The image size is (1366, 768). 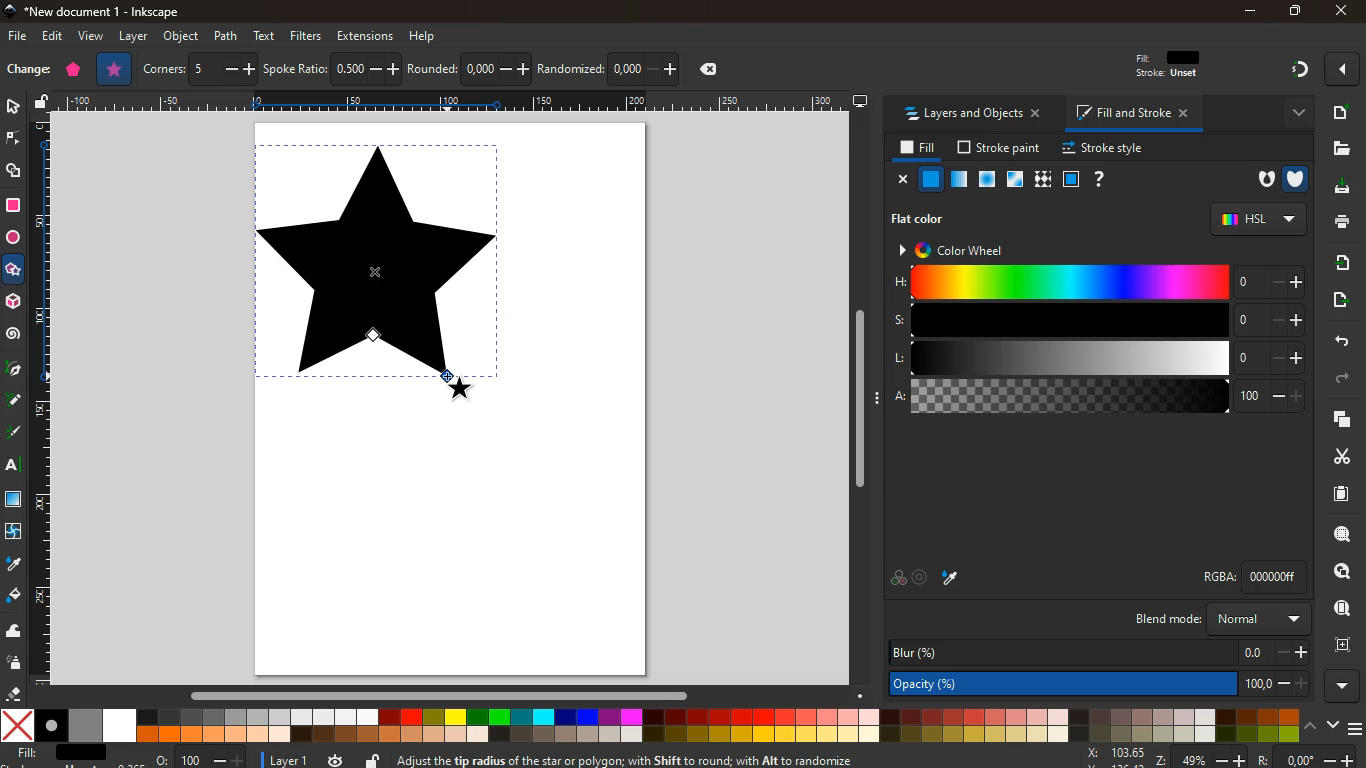 What do you see at coordinates (55, 753) in the screenshot?
I see `fill` at bounding box center [55, 753].